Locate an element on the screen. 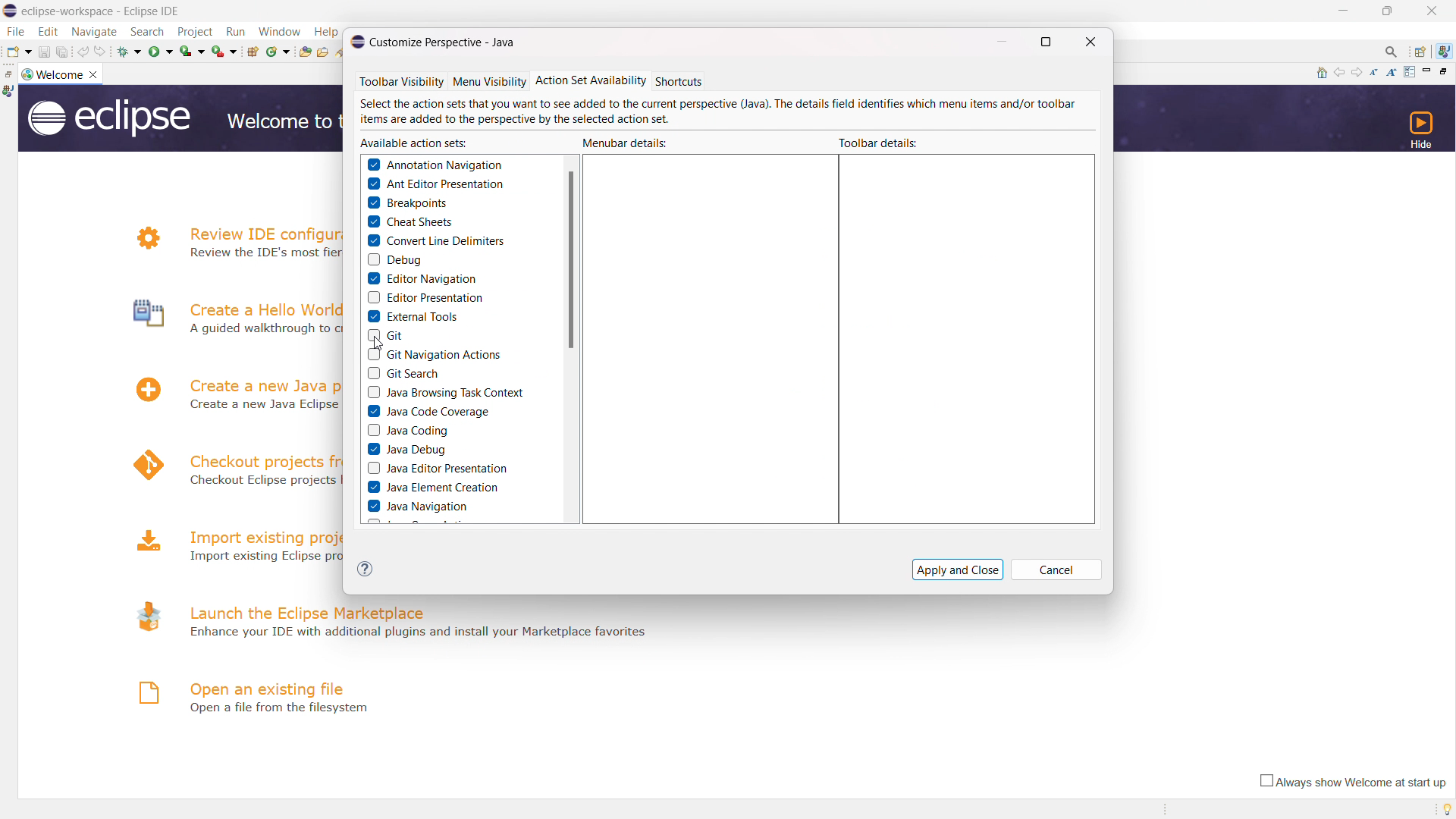 The image size is (1456, 819). Help  is located at coordinates (325, 30).